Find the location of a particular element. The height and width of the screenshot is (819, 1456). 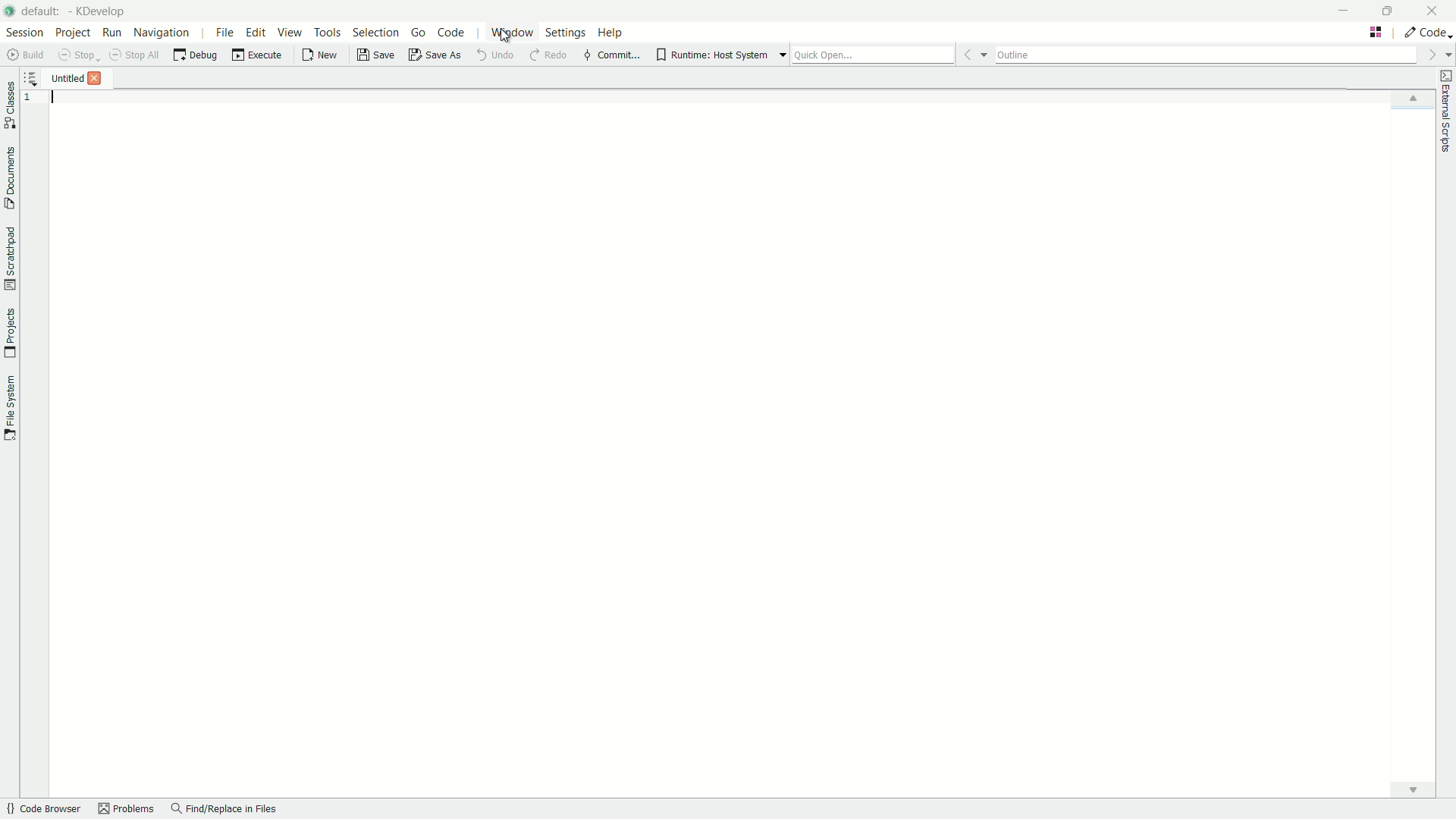

maximize or restore is located at coordinates (1390, 11).